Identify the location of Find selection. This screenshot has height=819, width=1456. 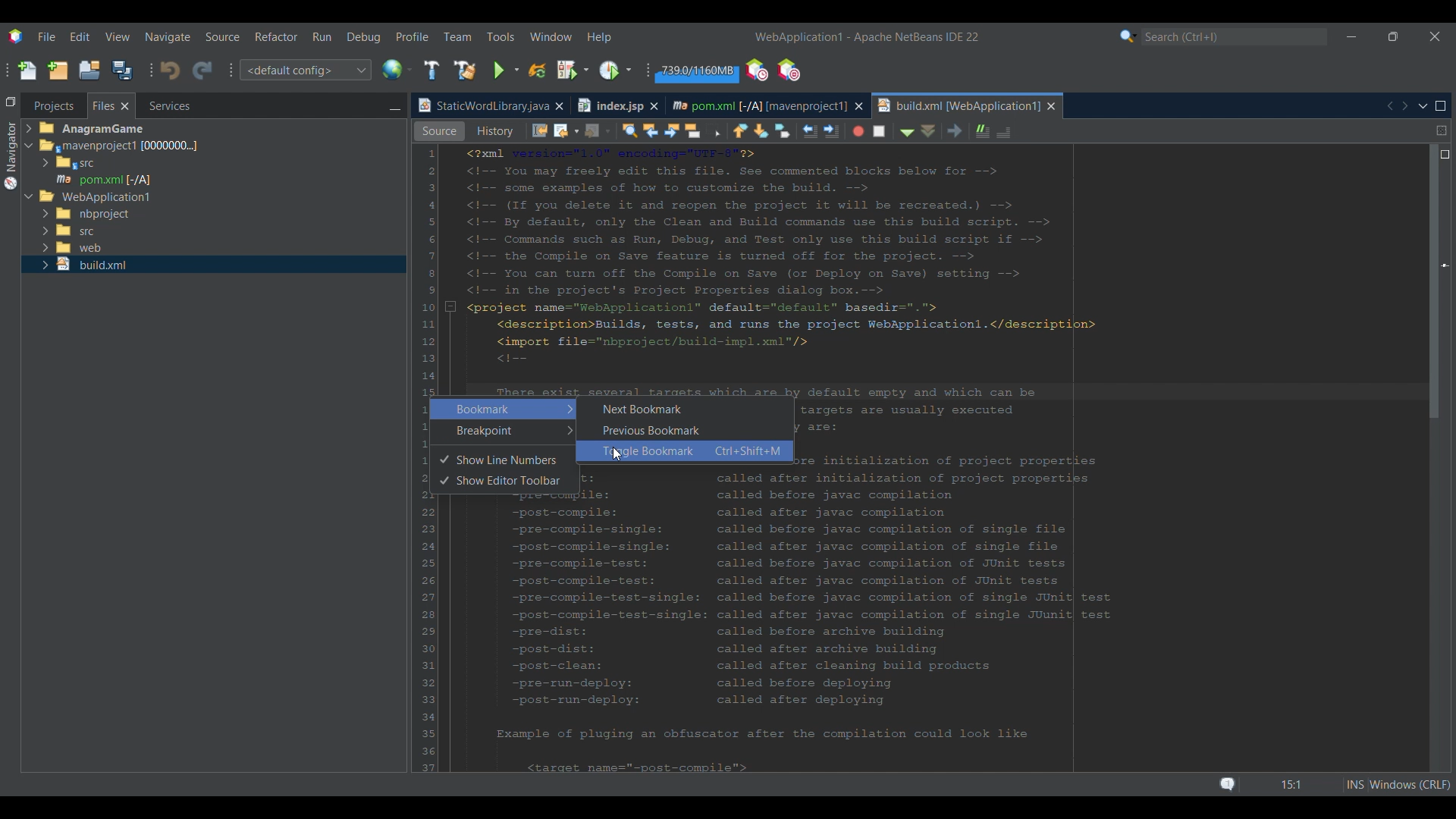
(762, 130).